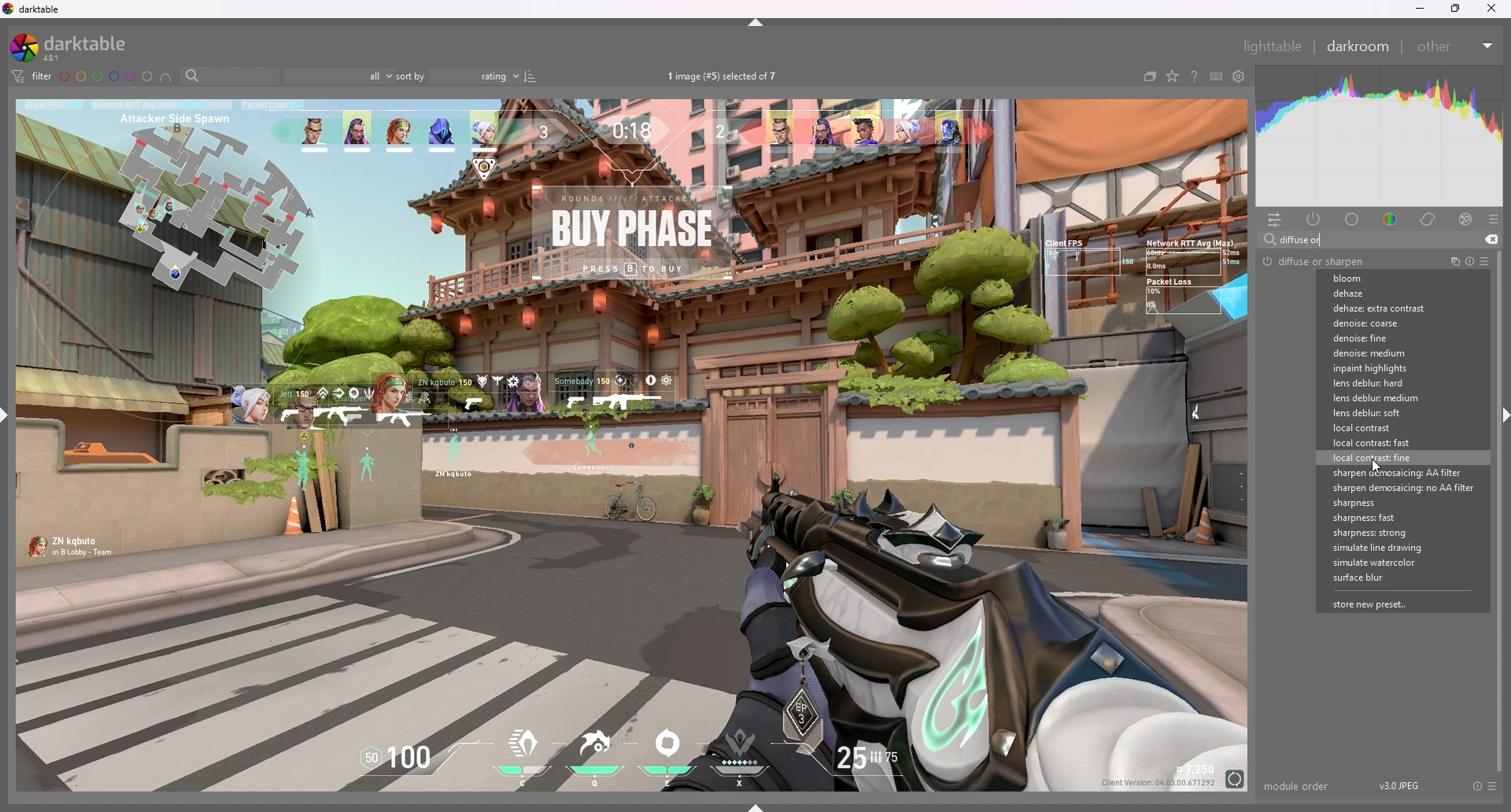  I want to click on heat graph, so click(1380, 136).